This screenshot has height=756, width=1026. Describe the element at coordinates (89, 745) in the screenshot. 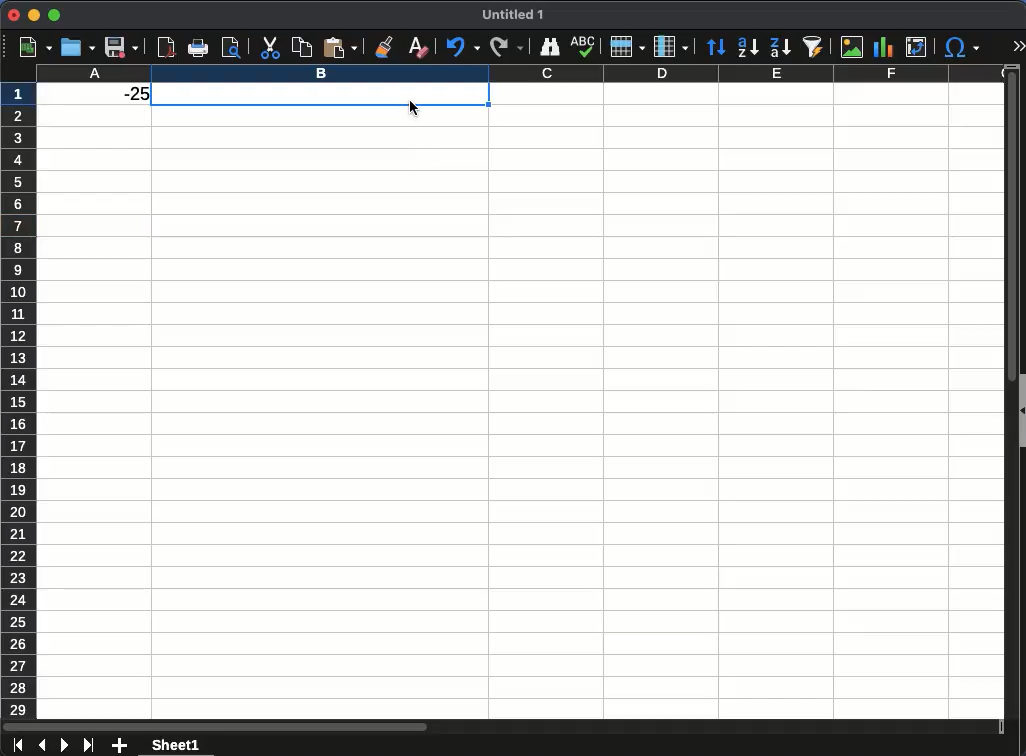

I see `last sheet` at that location.